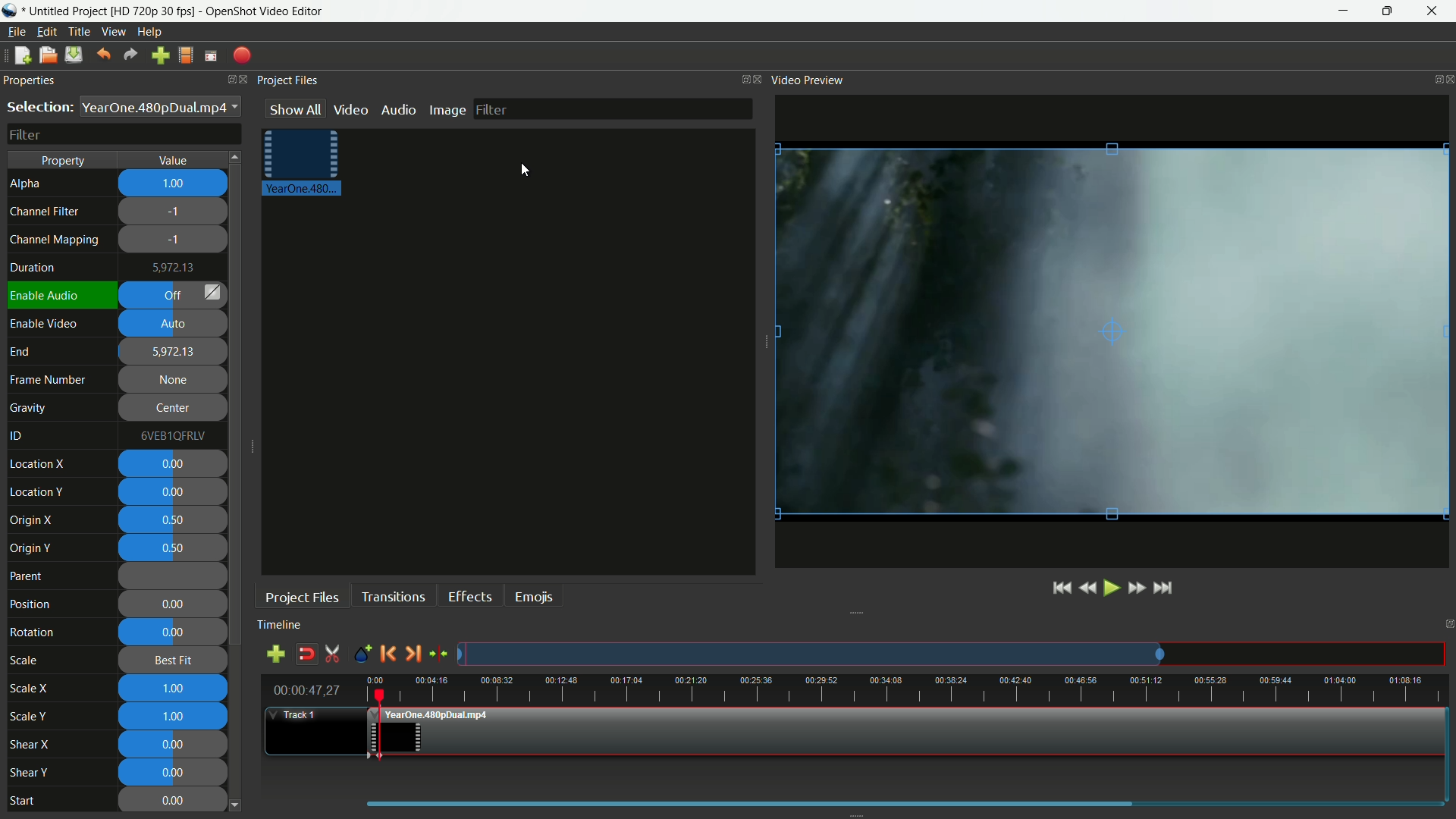 The height and width of the screenshot is (819, 1456). I want to click on 6VEB1QFRLV, so click(170, 435).